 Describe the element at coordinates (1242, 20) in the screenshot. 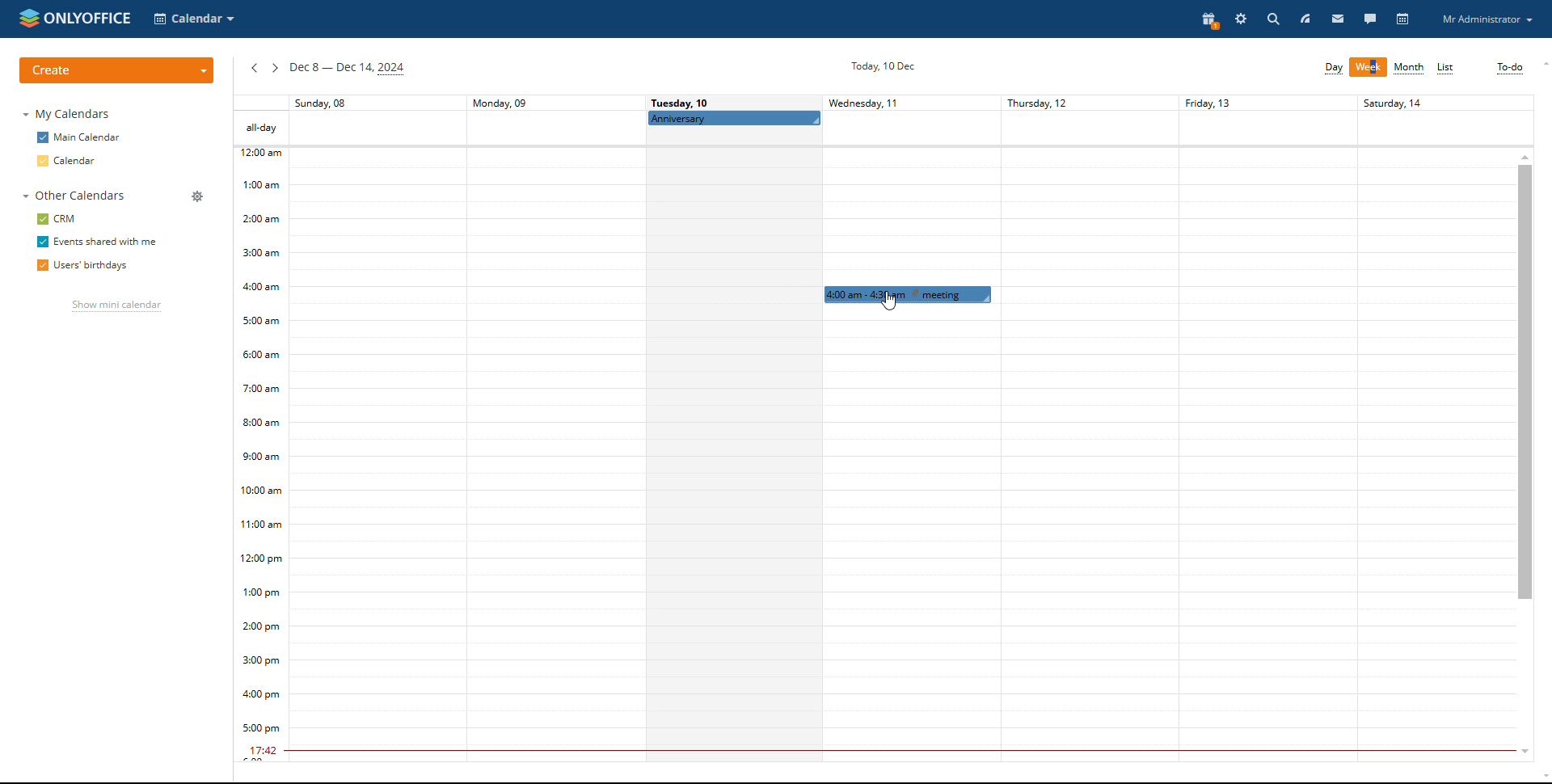

I see `settings` at that location.